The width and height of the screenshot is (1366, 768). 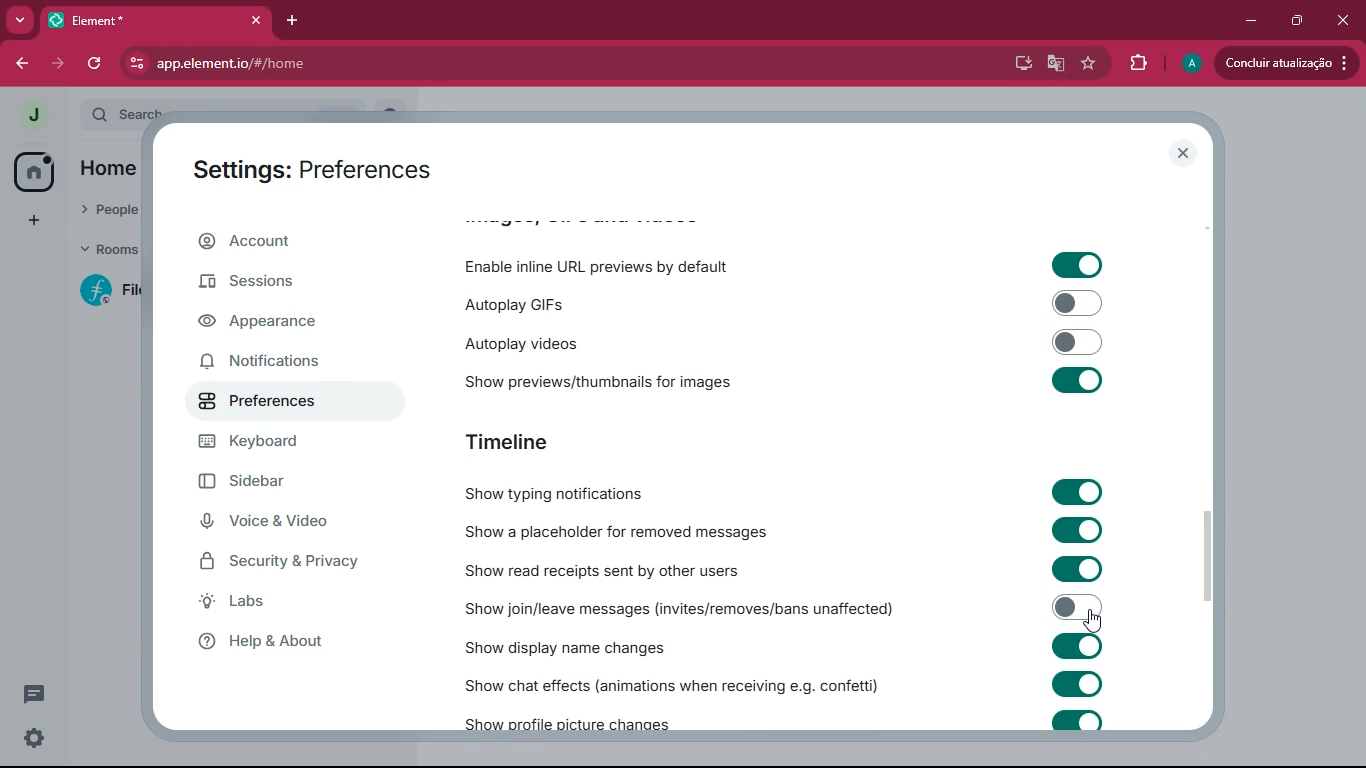 I want to click on minimize, so click(x=1252, y=20).